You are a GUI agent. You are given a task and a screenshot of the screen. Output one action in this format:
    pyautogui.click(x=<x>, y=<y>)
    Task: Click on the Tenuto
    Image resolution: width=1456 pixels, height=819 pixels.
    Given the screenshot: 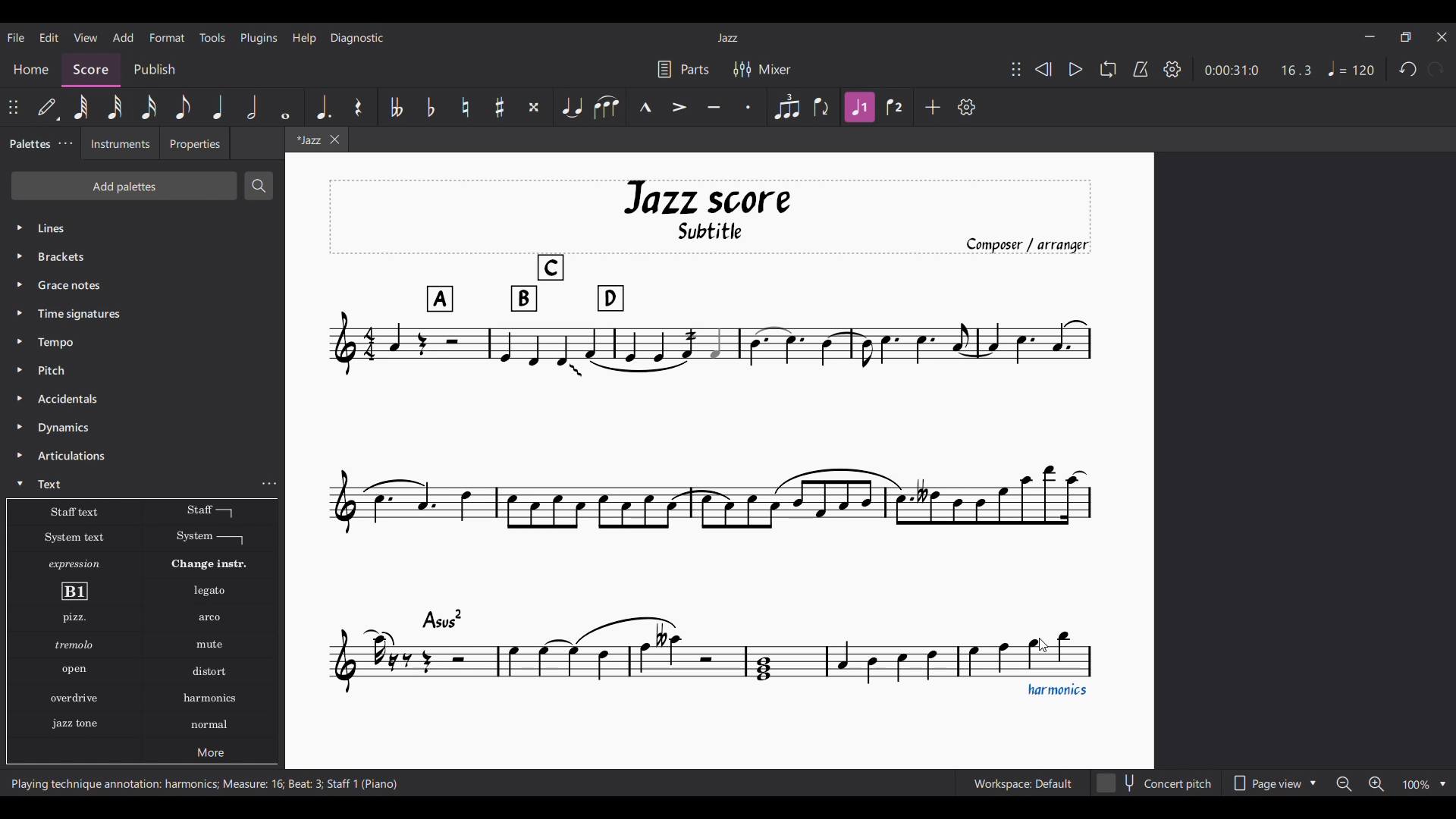 What is the action you would take?
    pyautogui.click(x=714, y=107)
    